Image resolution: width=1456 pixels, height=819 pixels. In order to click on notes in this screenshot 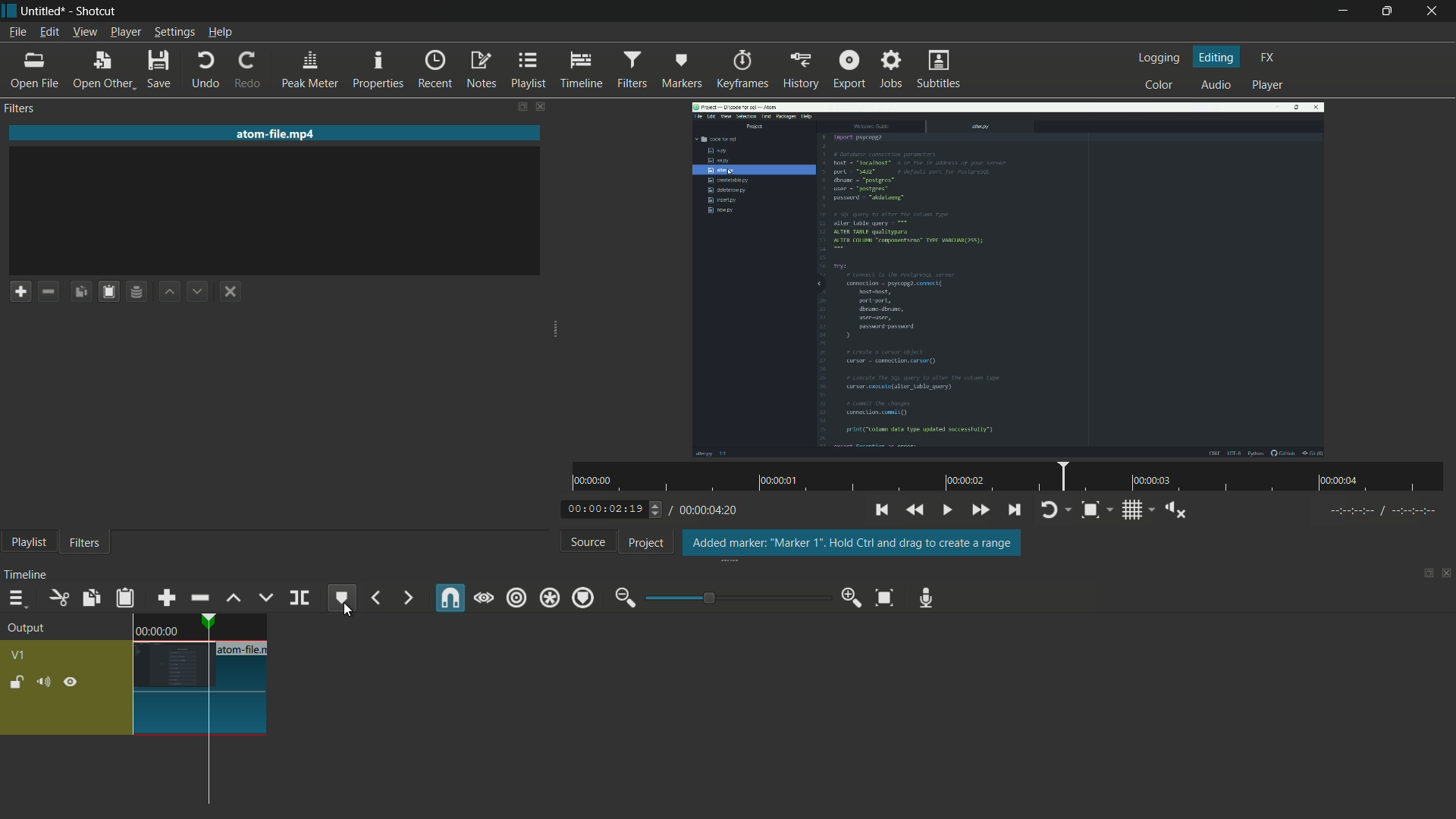, I will do `click(477, 71)`.